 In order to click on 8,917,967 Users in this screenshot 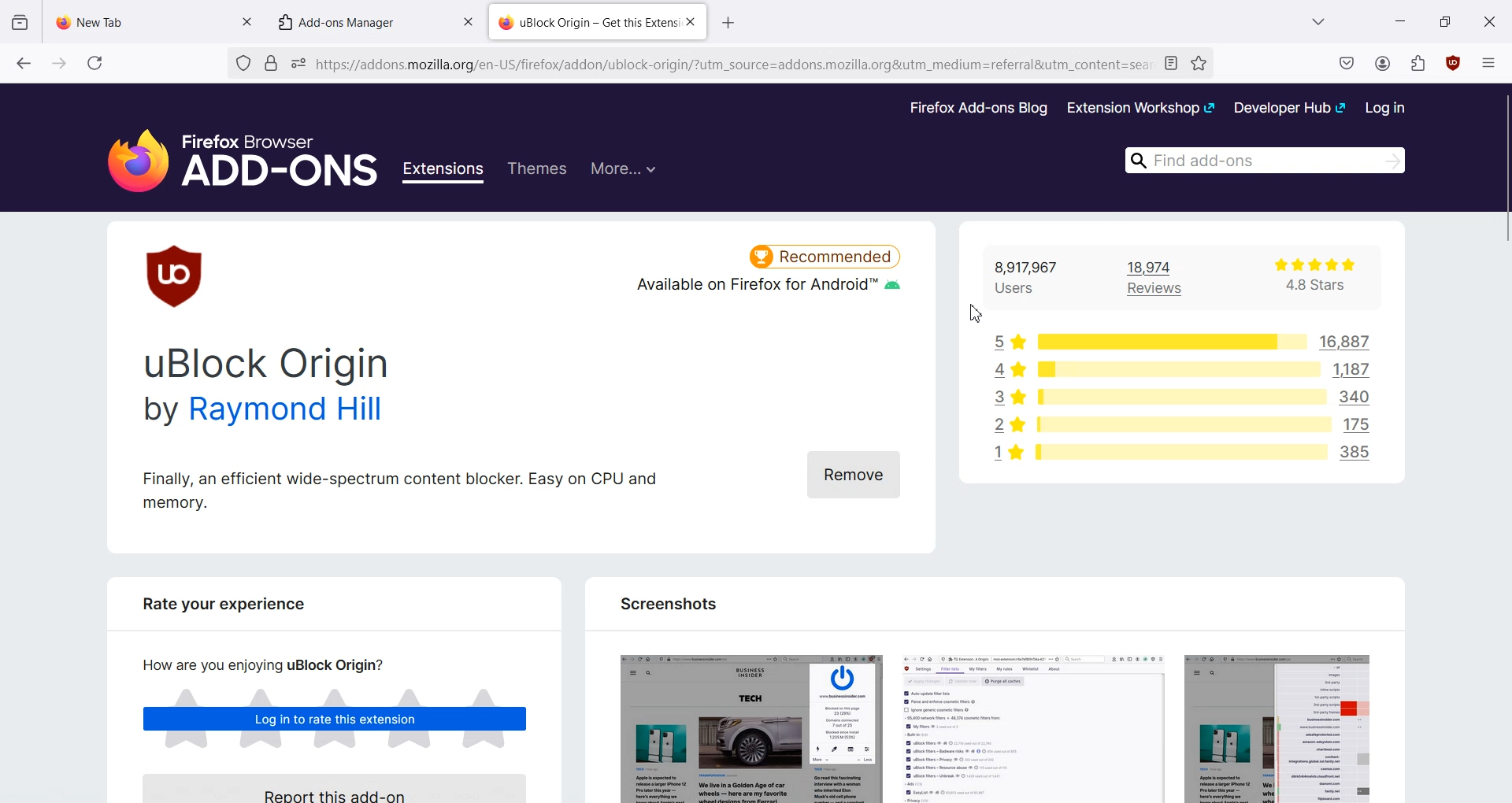, I will do `click(1035, 278)`.